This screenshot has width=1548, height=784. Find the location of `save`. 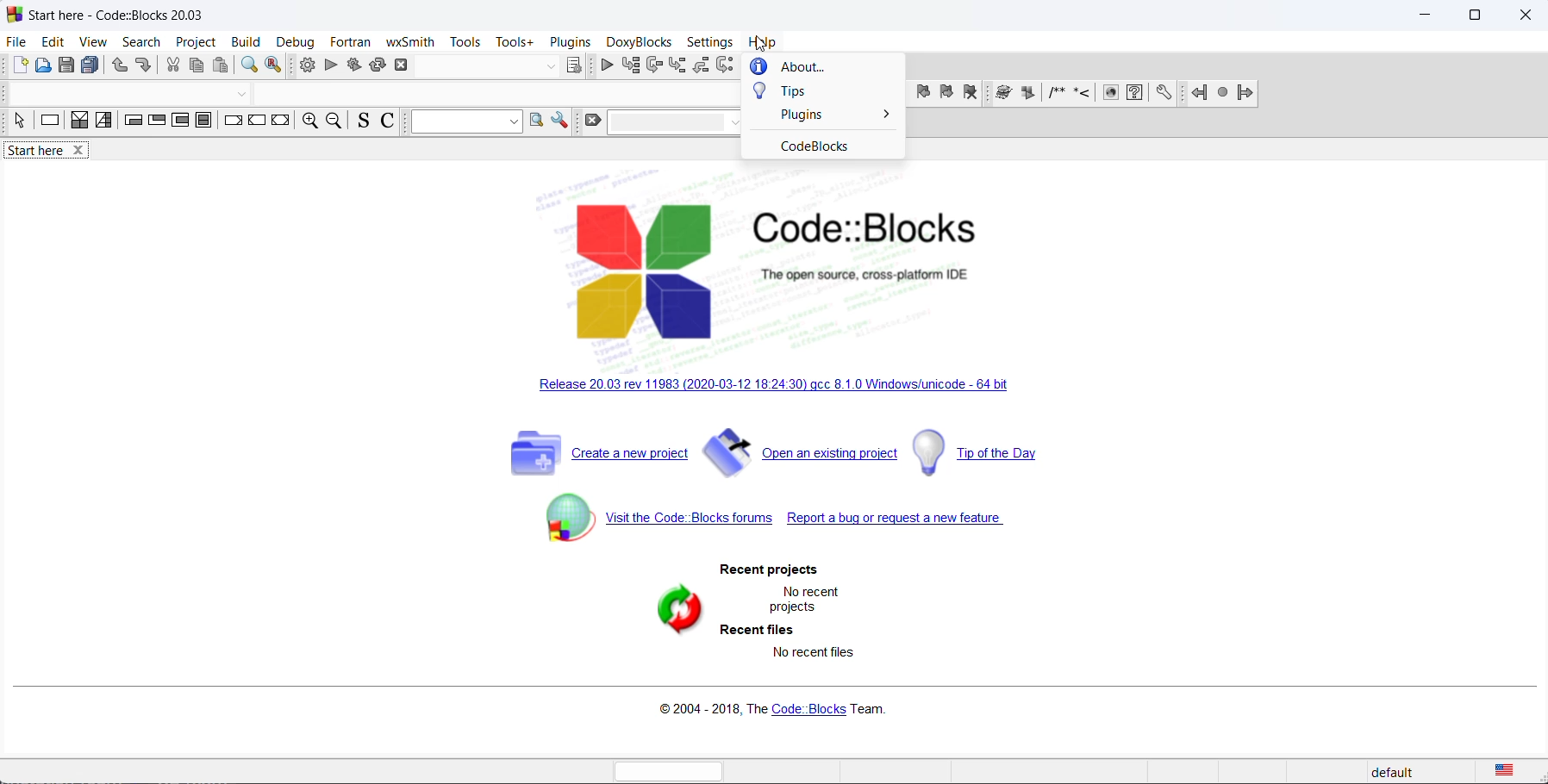

save is located at coordinates (66, 65).